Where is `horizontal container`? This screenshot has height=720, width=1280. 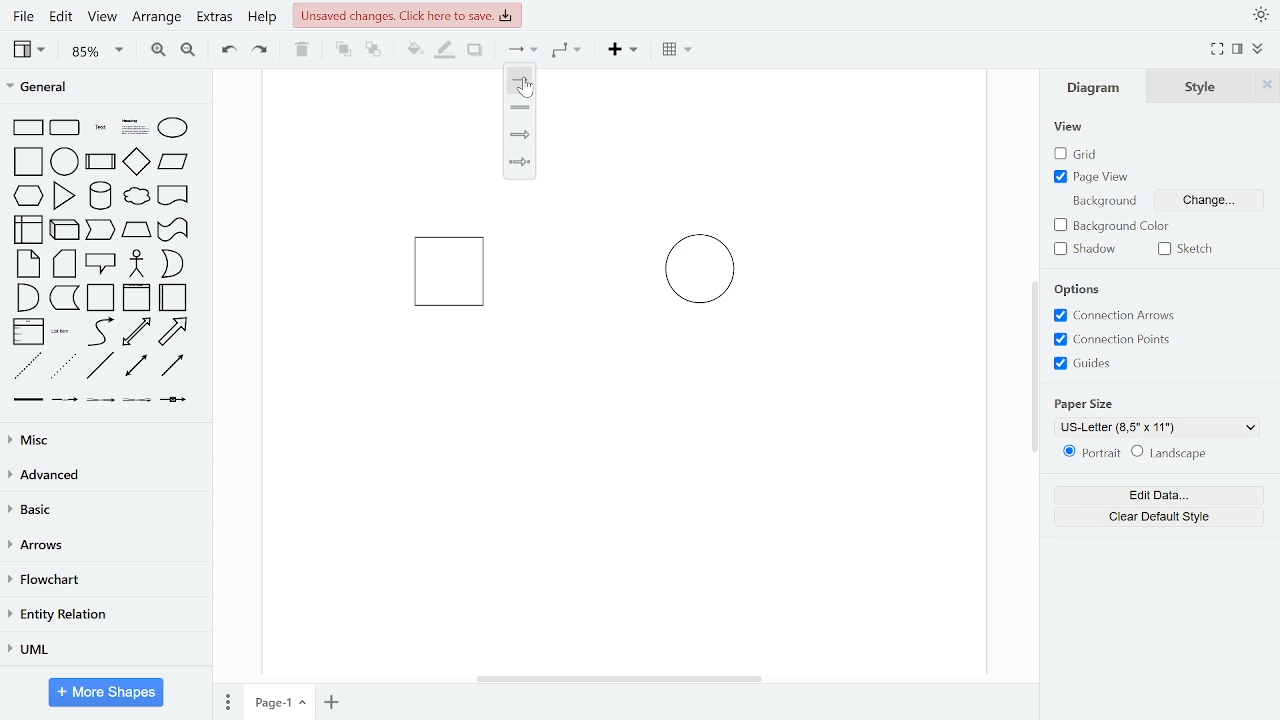 horizontal container is located at coordinates (174, 297).